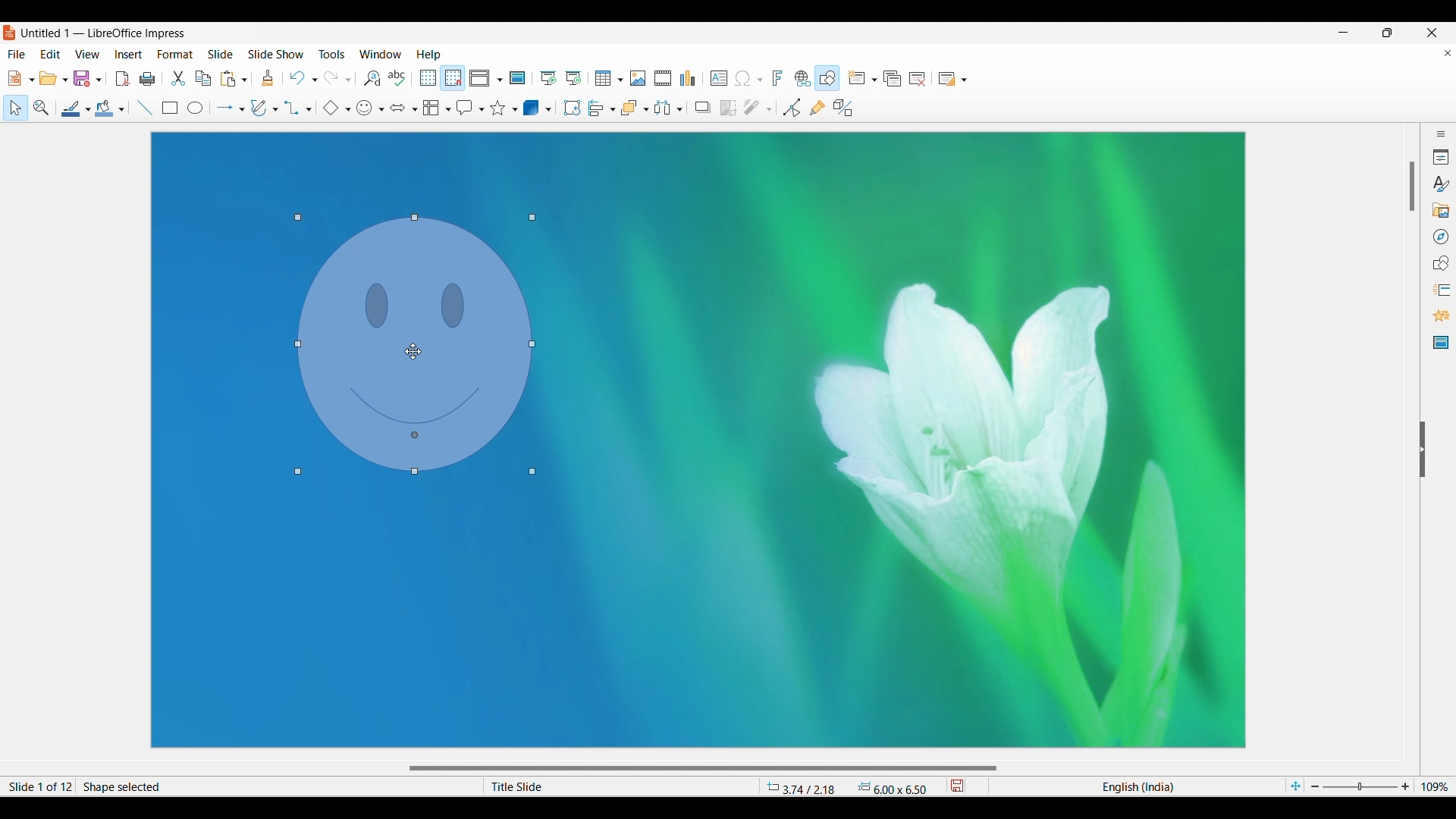 The width and height of the screenshot is (1456, 819). What do you see at coordinates (147, 79) in the screenshot?
I see `Print` at bounding box center [147, 79].